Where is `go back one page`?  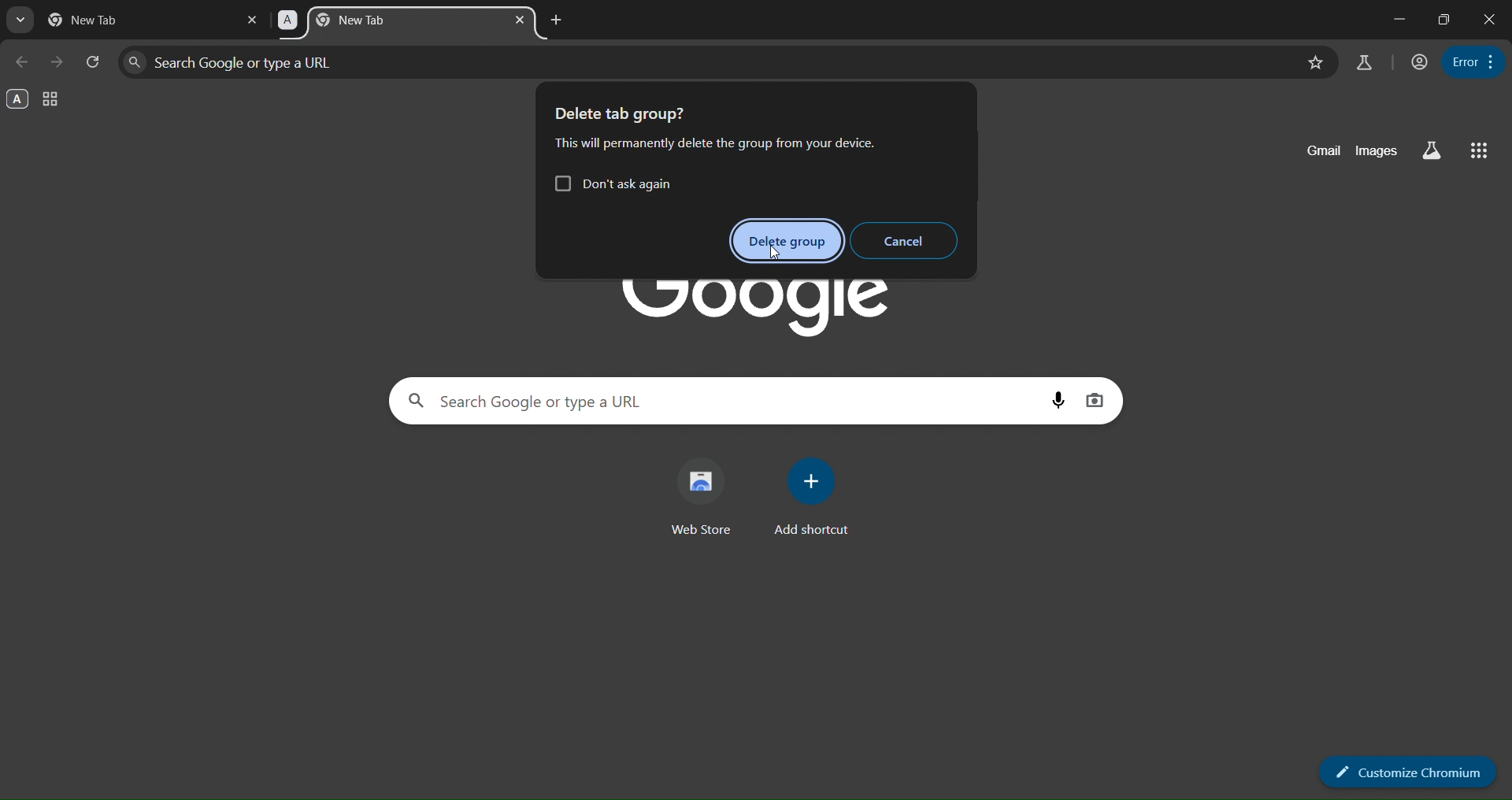
go back one page is located at coordinates (24, 62).